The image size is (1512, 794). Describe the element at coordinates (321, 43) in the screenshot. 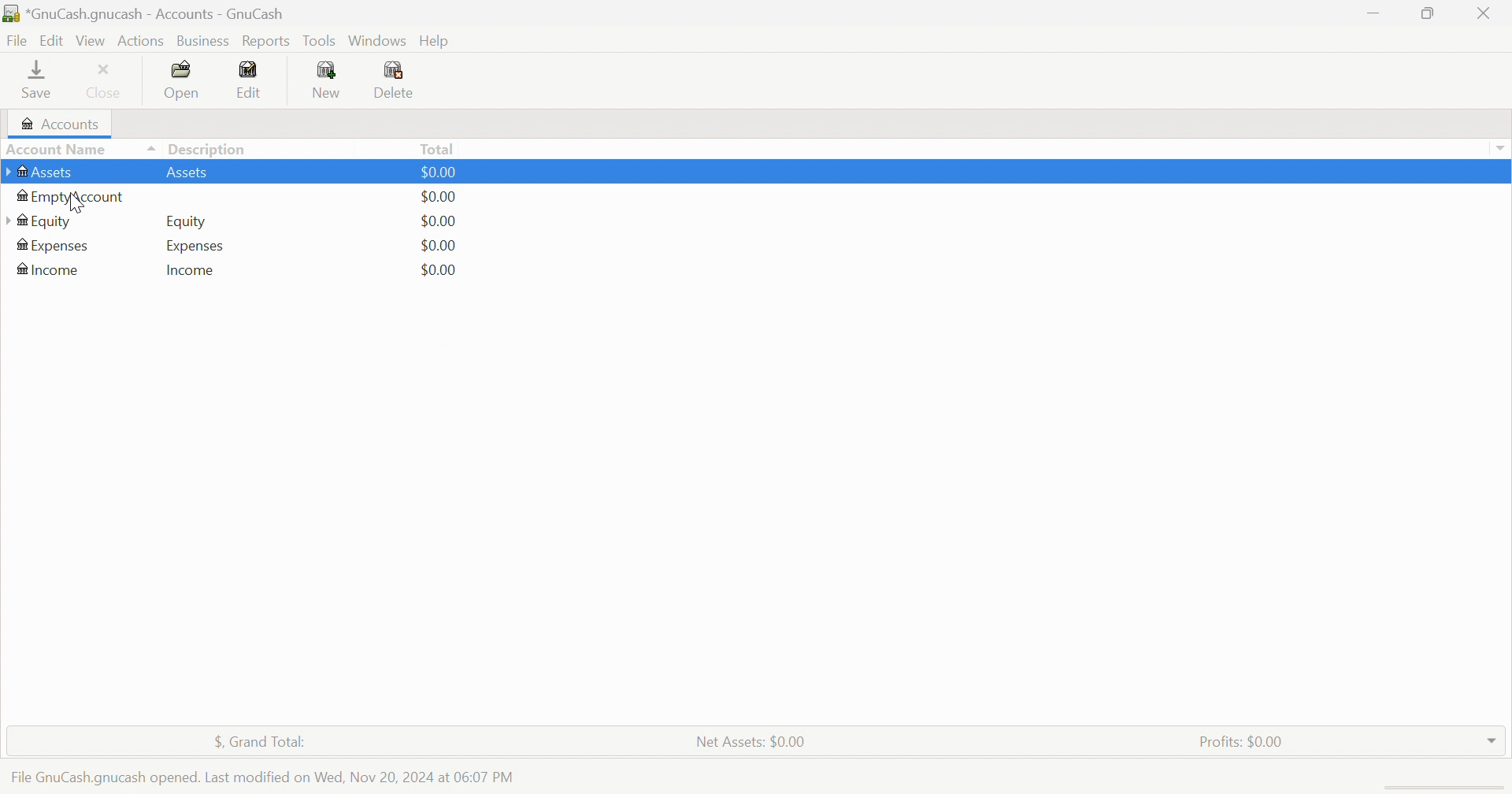

I see `Tools` at that location.